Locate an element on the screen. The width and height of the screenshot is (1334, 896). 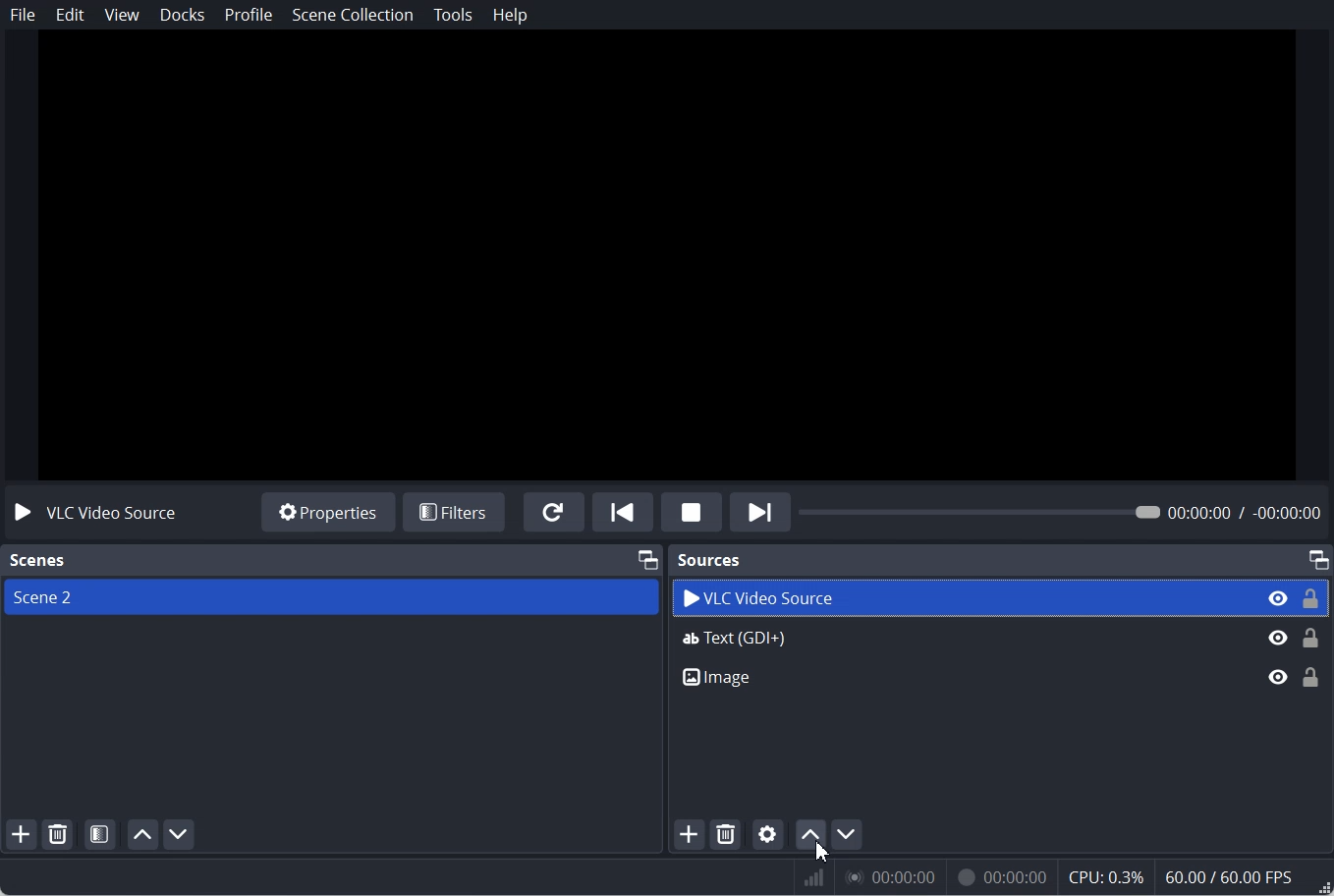
Numeric Result is located at coordinates (1064, 880).